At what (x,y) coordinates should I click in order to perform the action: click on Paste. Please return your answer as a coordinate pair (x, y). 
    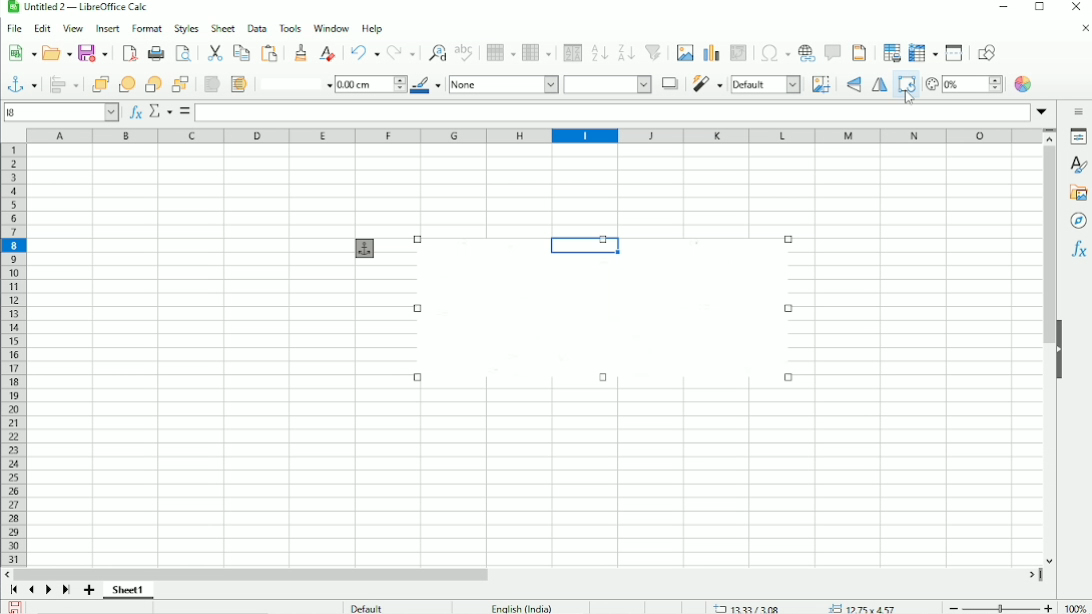
    Looking at the image, I should click on (269, 52).